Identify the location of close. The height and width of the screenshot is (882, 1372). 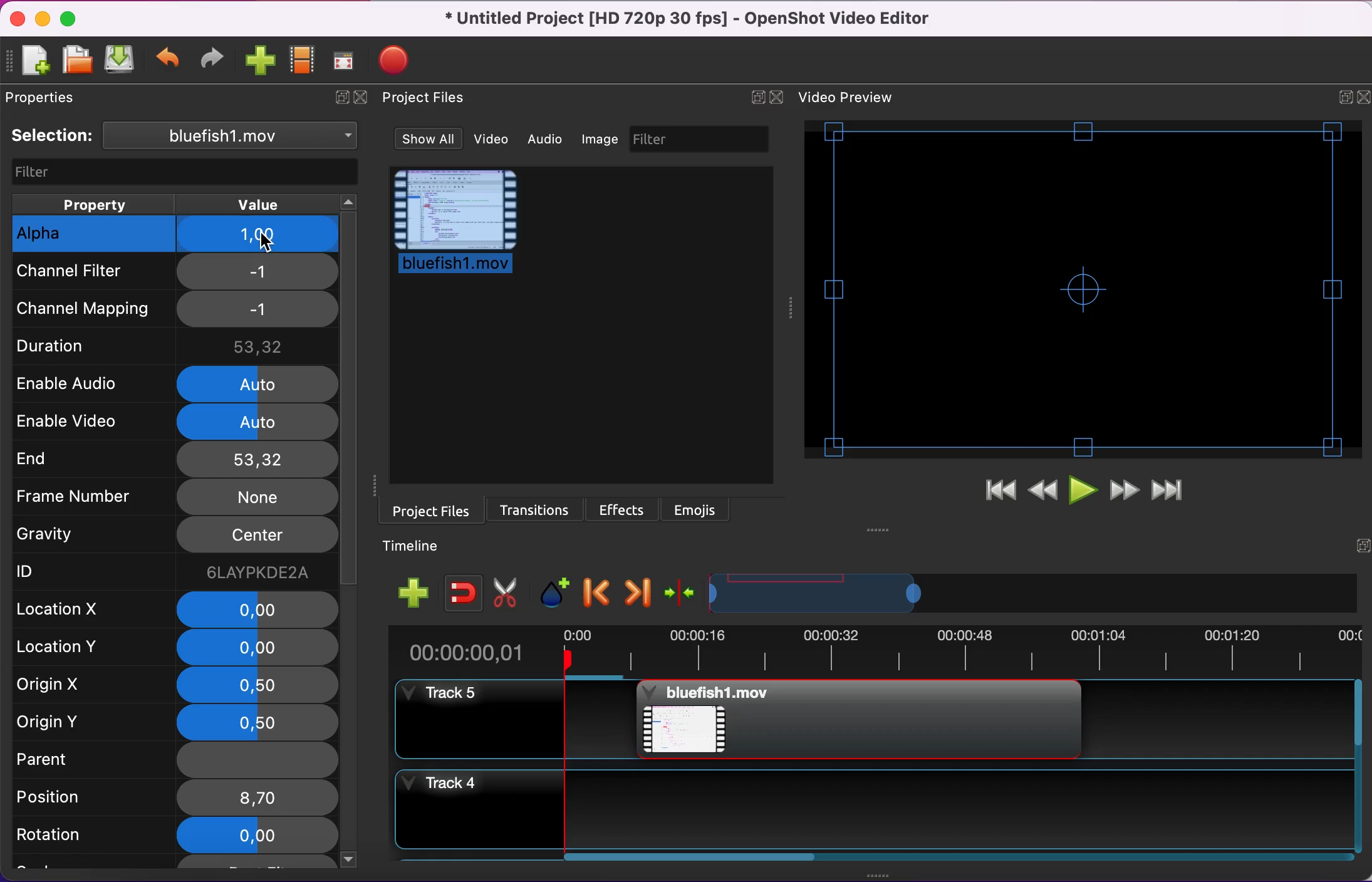
(1363, 98).